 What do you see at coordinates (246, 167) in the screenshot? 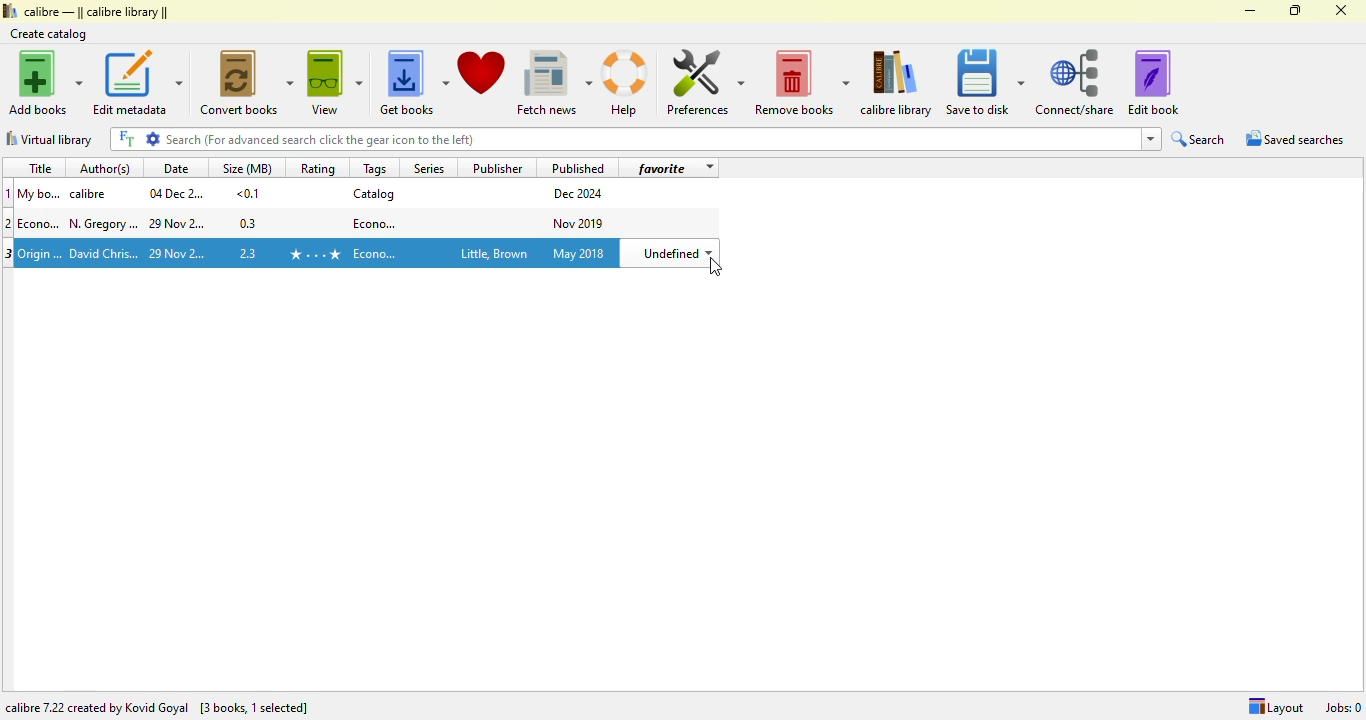
I see `size(MB)` at bounding box center [246, 167].